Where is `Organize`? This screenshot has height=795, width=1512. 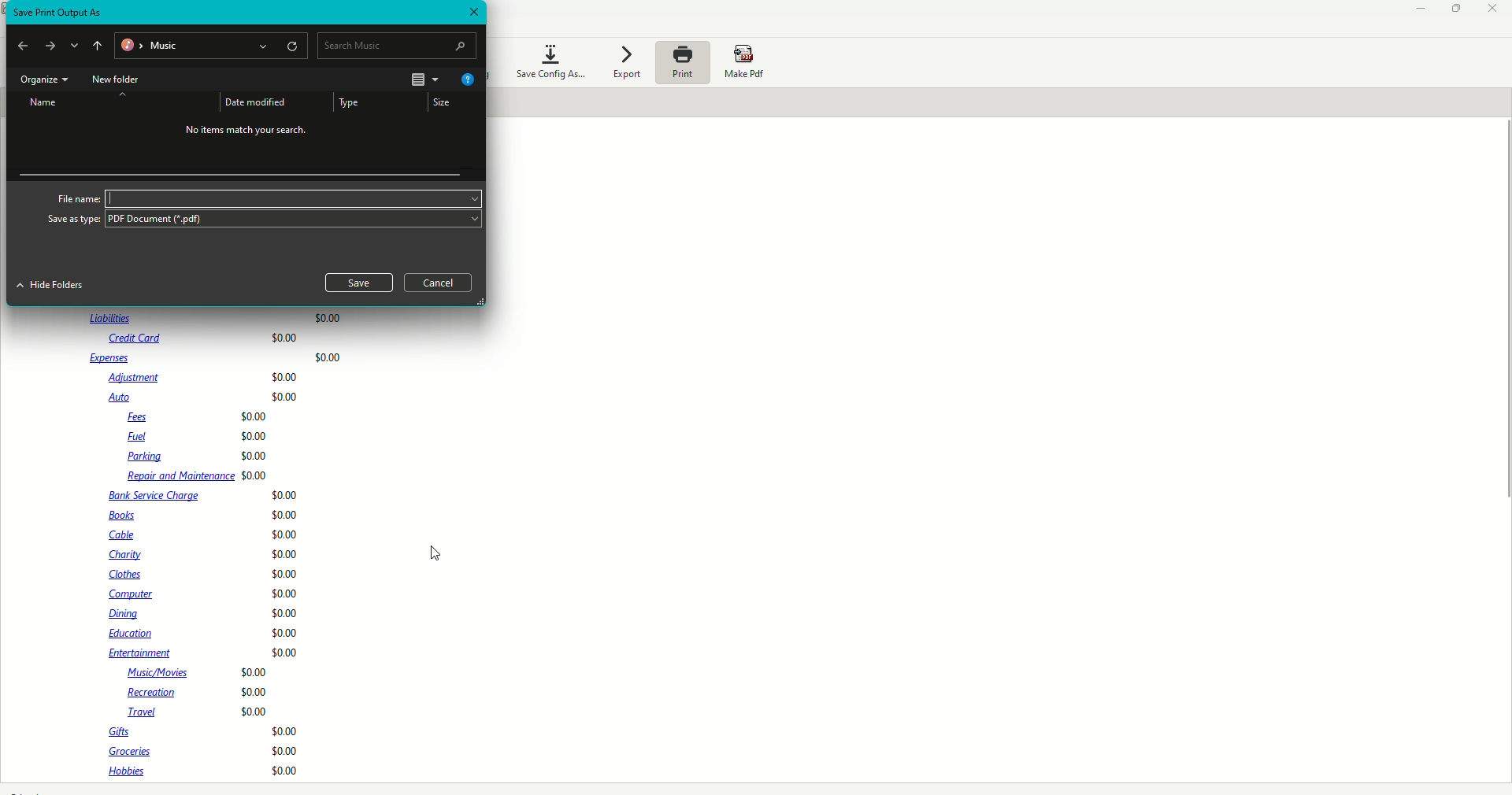
Organize is located at coordinates (43, 80).